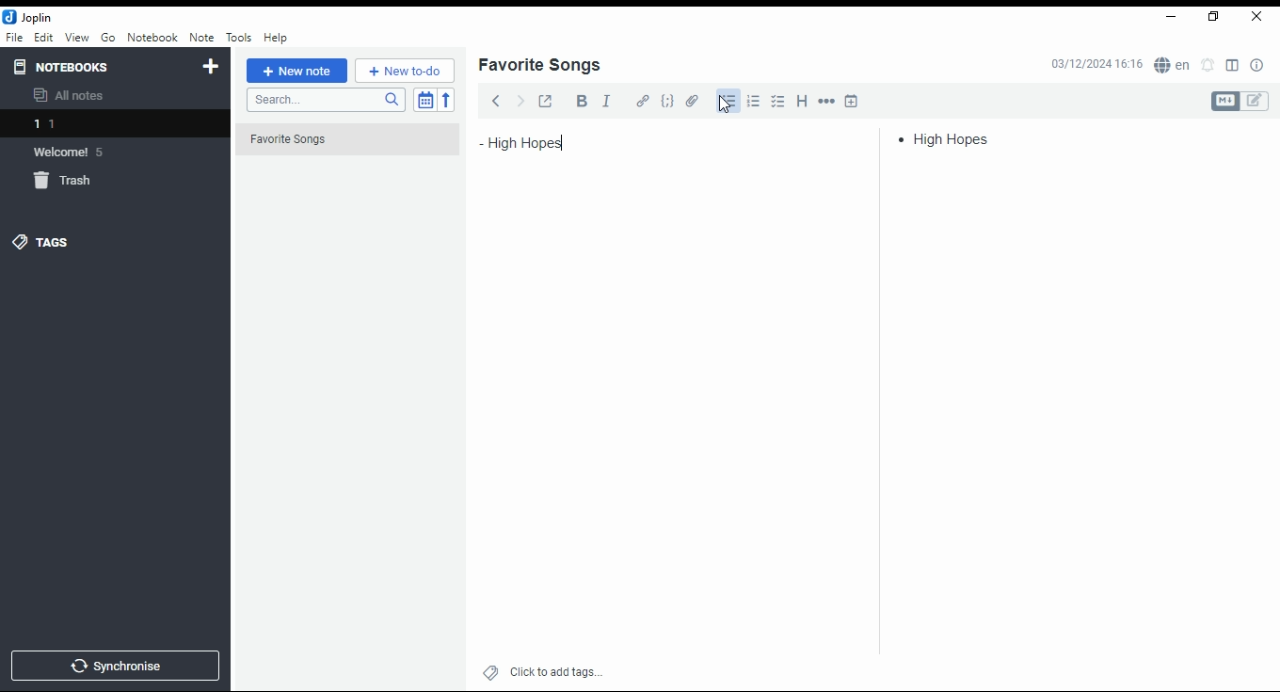 This screenshot has height=692, width=1280. I want to click on 03/12/2024 16:16, so click(1096, 64).